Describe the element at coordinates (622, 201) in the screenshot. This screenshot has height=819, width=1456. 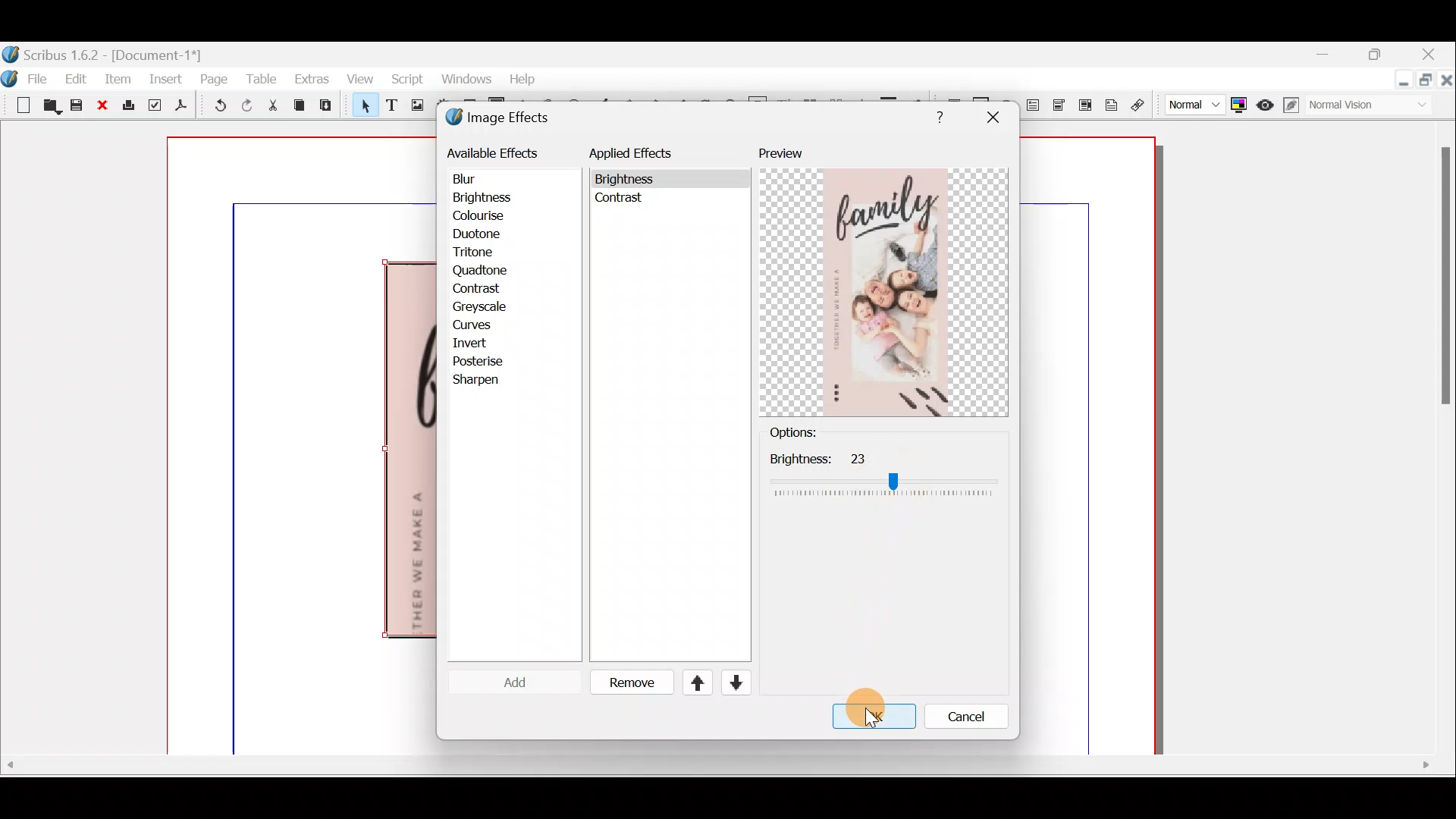
I see `contrast` at that location.